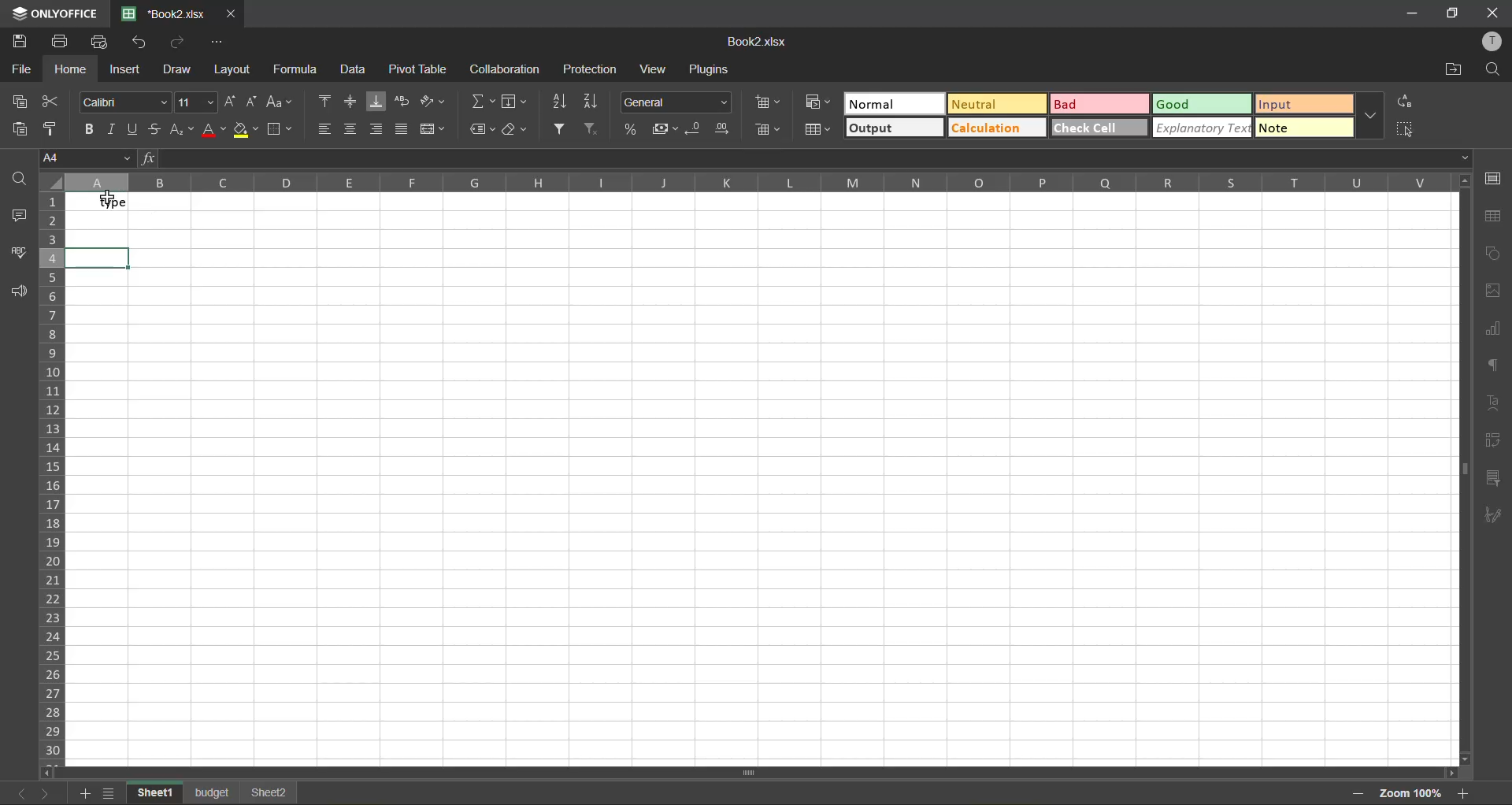 The image size is (1512, 805). What do you see at coordinates (1464, 796) in the screenshot?
I see `zoom in` at bounding box center [1464, 796].